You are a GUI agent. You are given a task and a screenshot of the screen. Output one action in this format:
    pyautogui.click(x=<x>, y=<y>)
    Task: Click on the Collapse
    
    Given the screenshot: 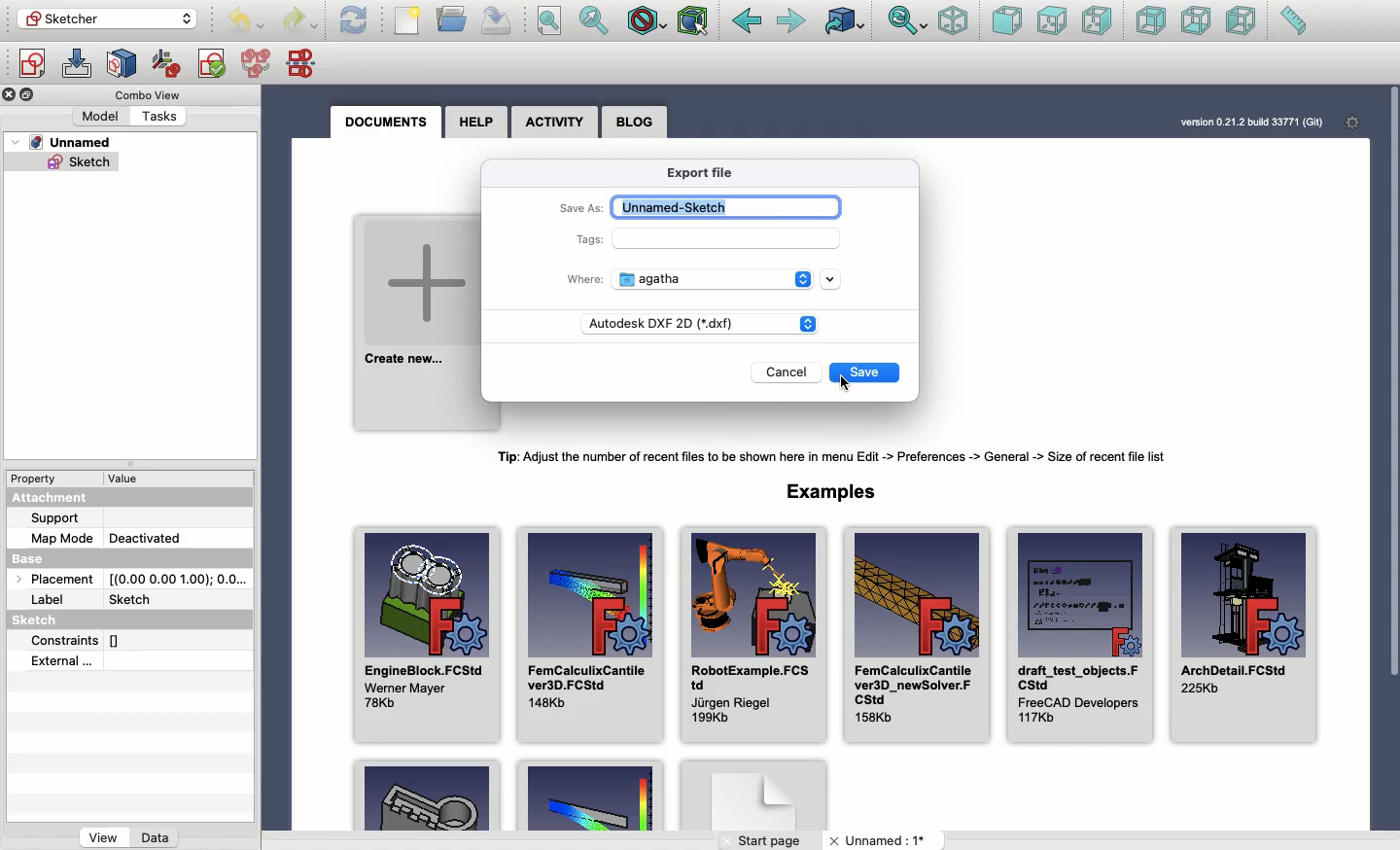 What is the action you would take?
    pyautogui.click(x=29, y=95)
    